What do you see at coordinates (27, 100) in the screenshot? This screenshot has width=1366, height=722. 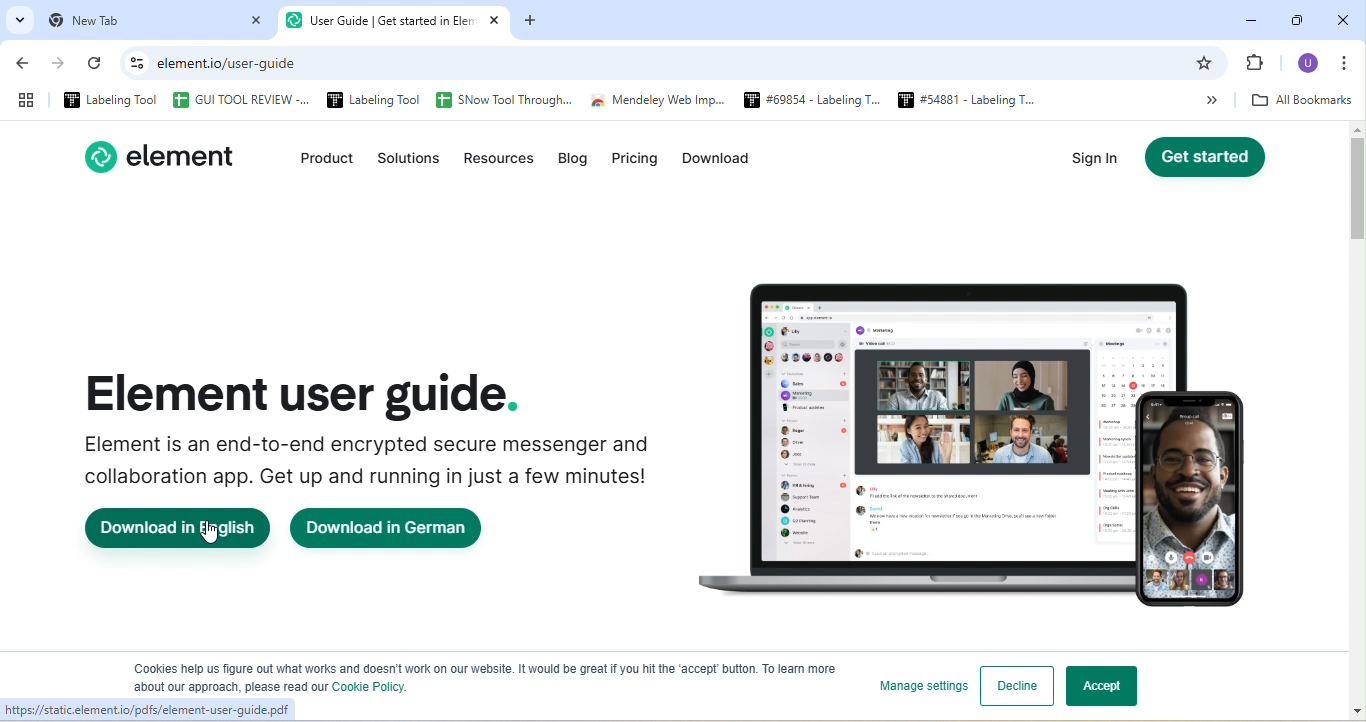 I see `tab group` at bounding box center [27, 100].